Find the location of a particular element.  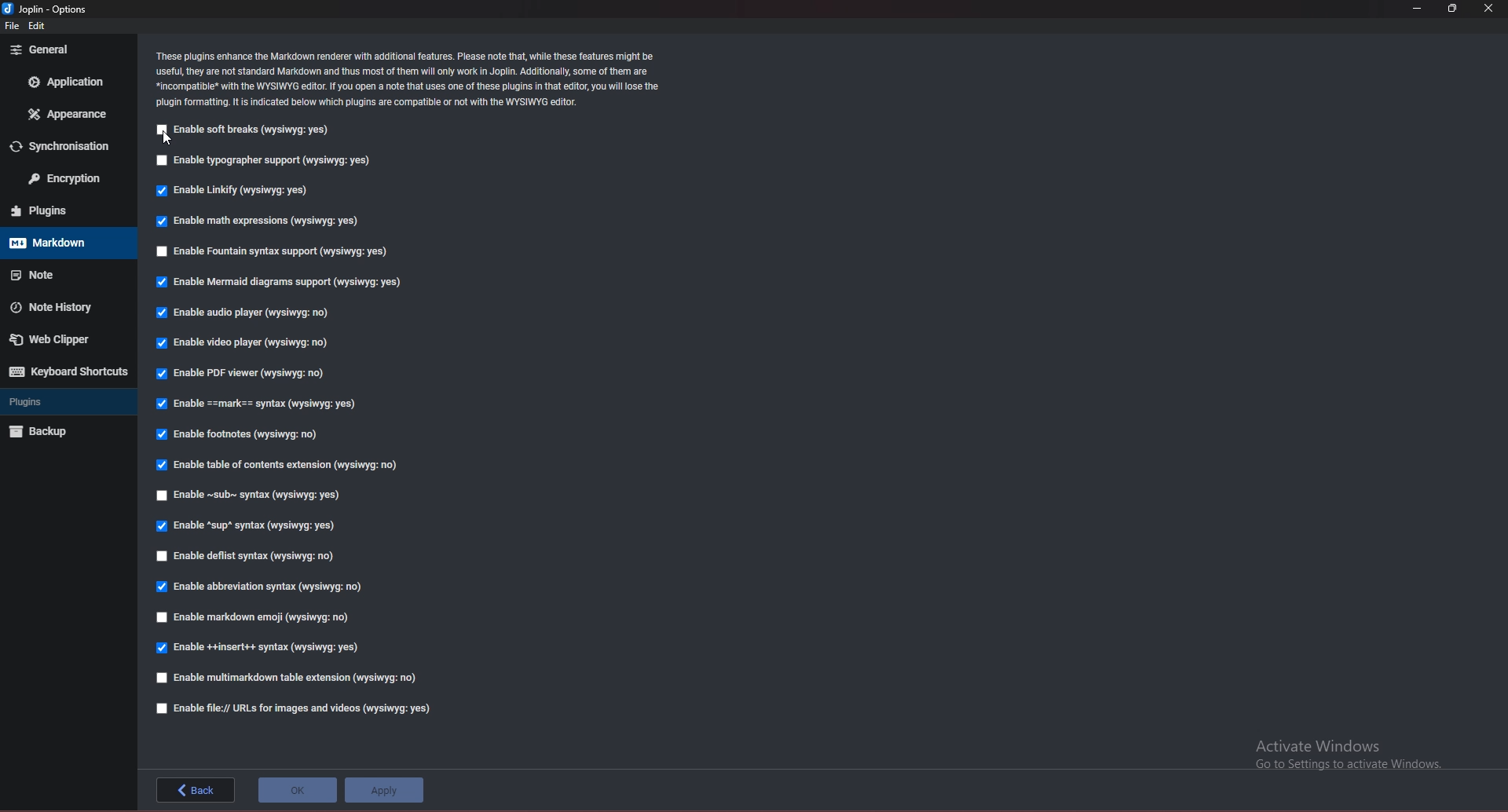

enable mark syntax is located at coordinates (264, 404).